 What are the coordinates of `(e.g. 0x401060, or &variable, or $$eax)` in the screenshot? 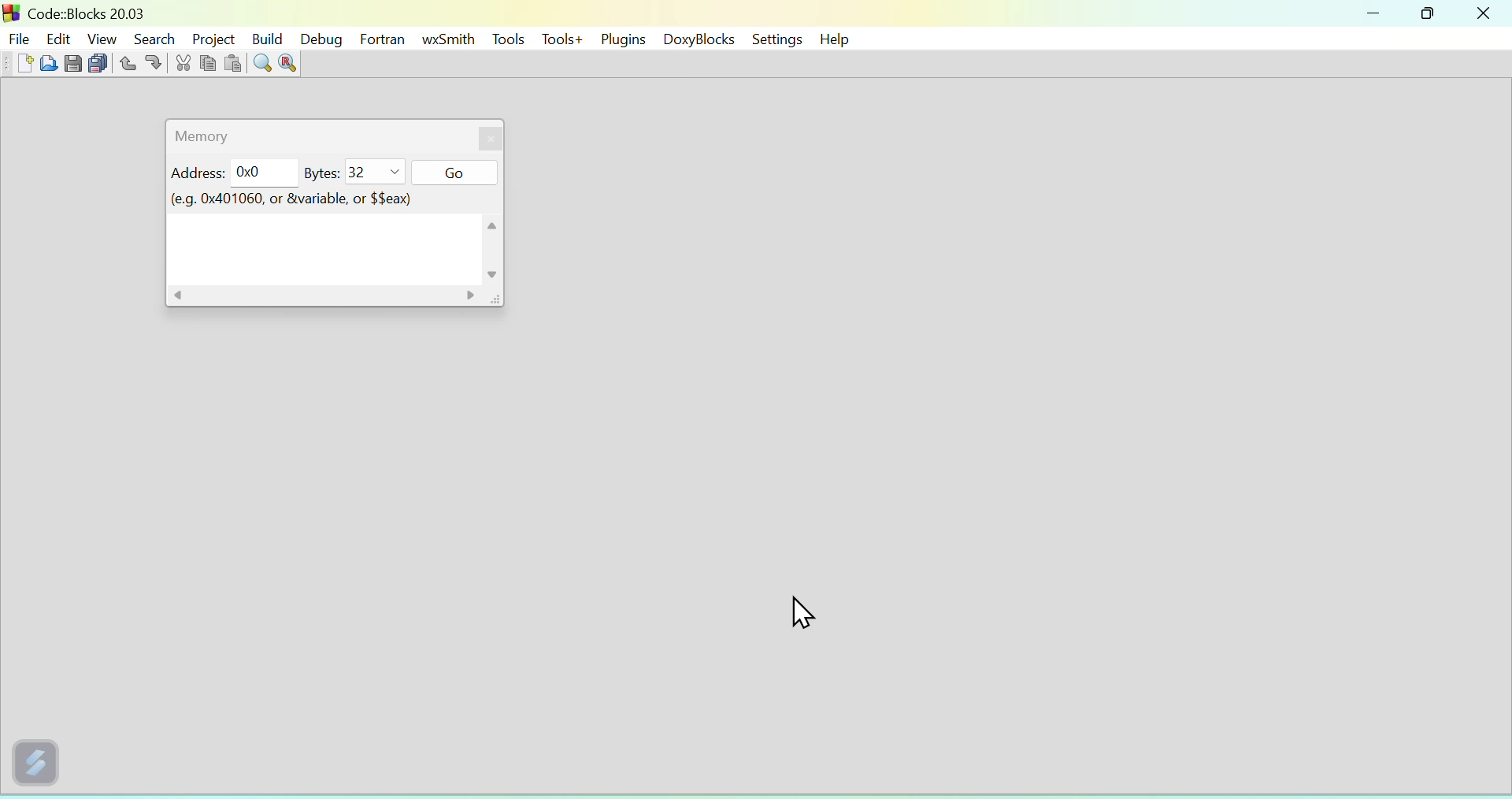 It's located at (292, 199).